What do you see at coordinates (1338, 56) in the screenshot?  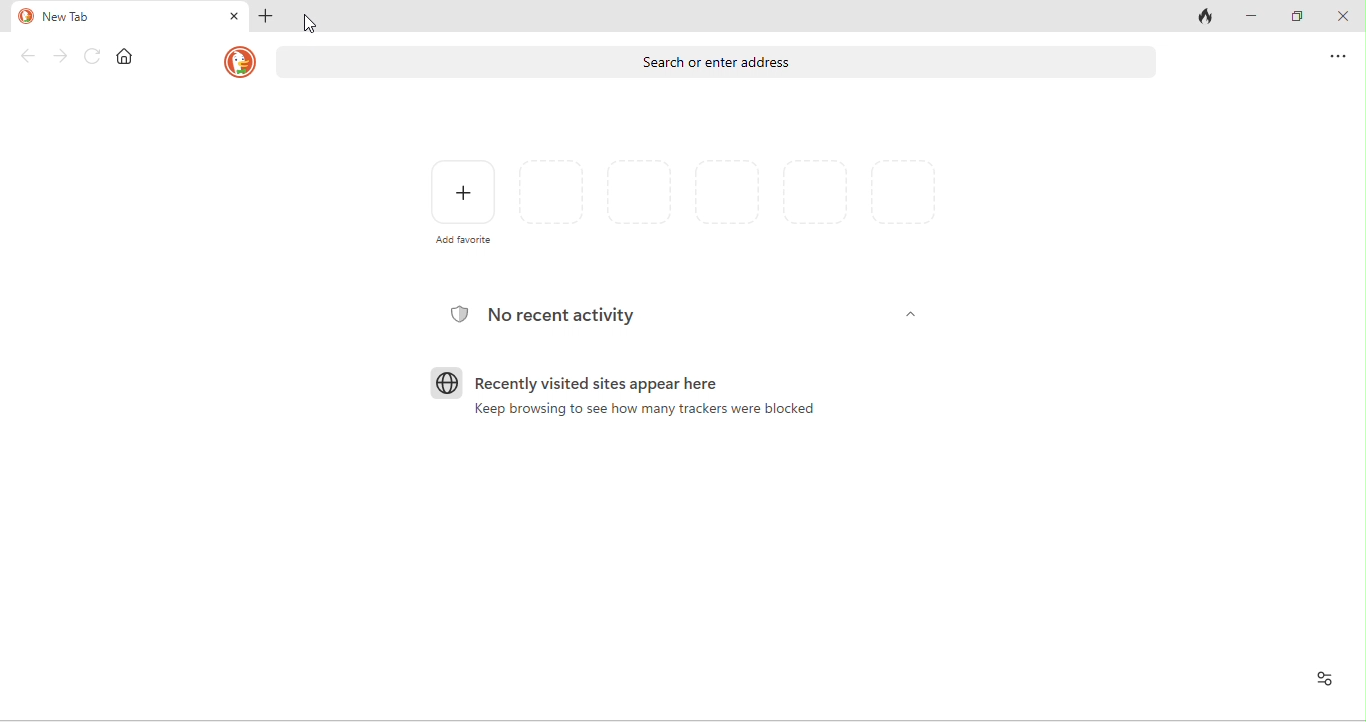 I see `options` at bounding box center [1338, 56].